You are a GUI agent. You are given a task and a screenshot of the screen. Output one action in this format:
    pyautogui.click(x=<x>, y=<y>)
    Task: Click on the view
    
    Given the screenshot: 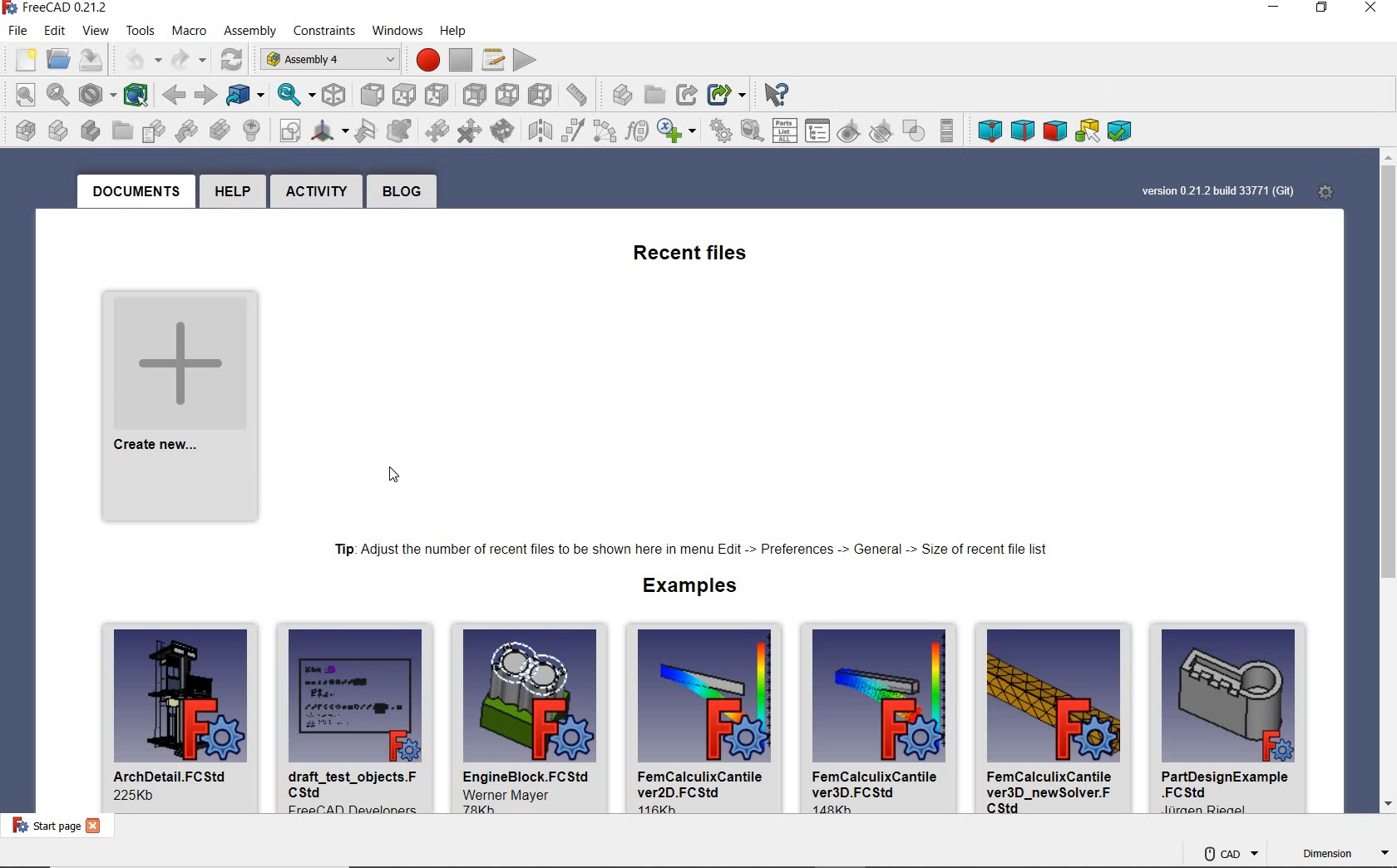 What is the action you would take?
    pyautogui.click(x=94, y=31)
    